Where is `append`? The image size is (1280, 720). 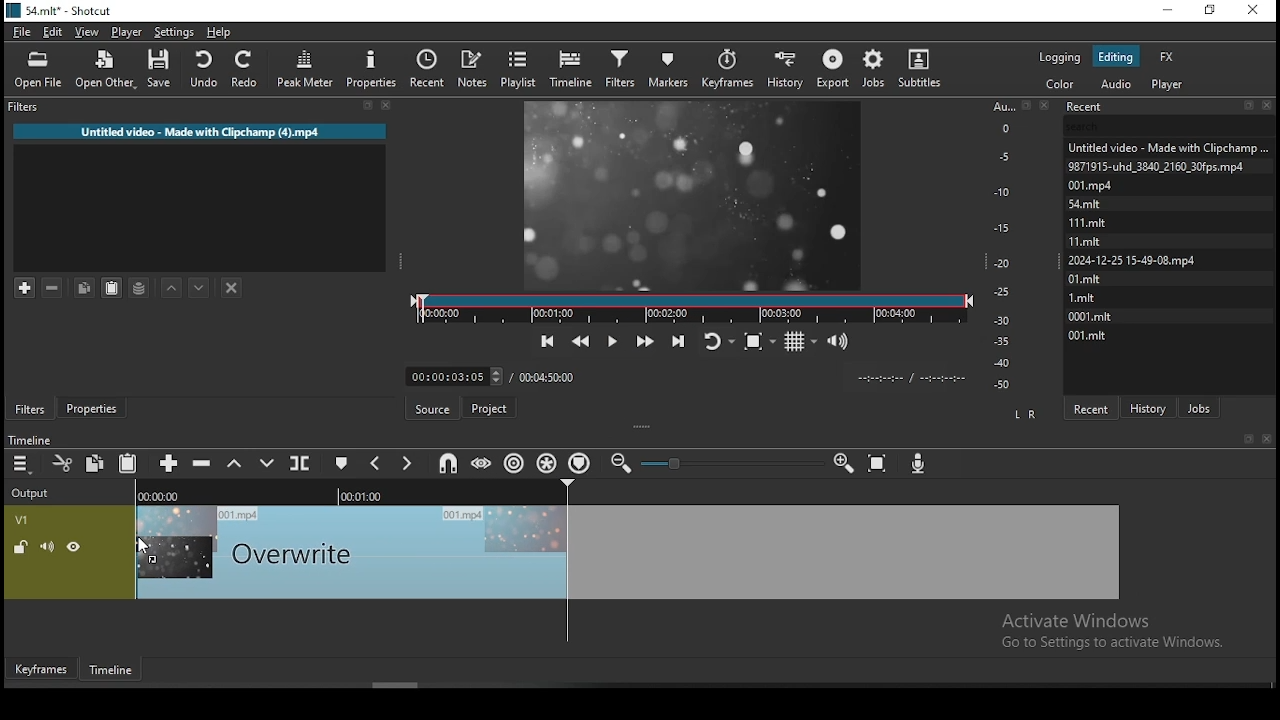
append is located at coordinates (169, 462).